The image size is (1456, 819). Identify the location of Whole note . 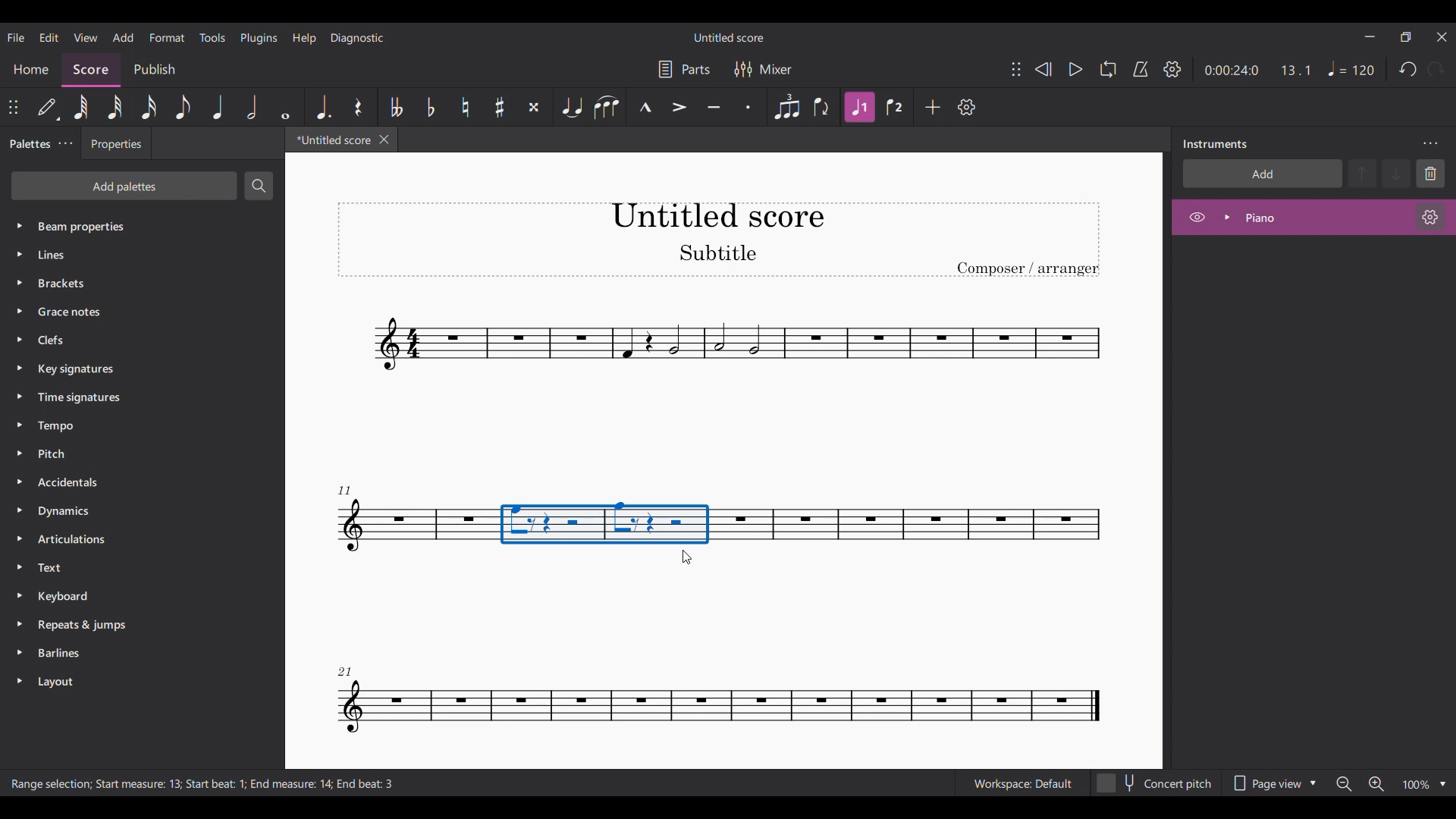
(285, 106).